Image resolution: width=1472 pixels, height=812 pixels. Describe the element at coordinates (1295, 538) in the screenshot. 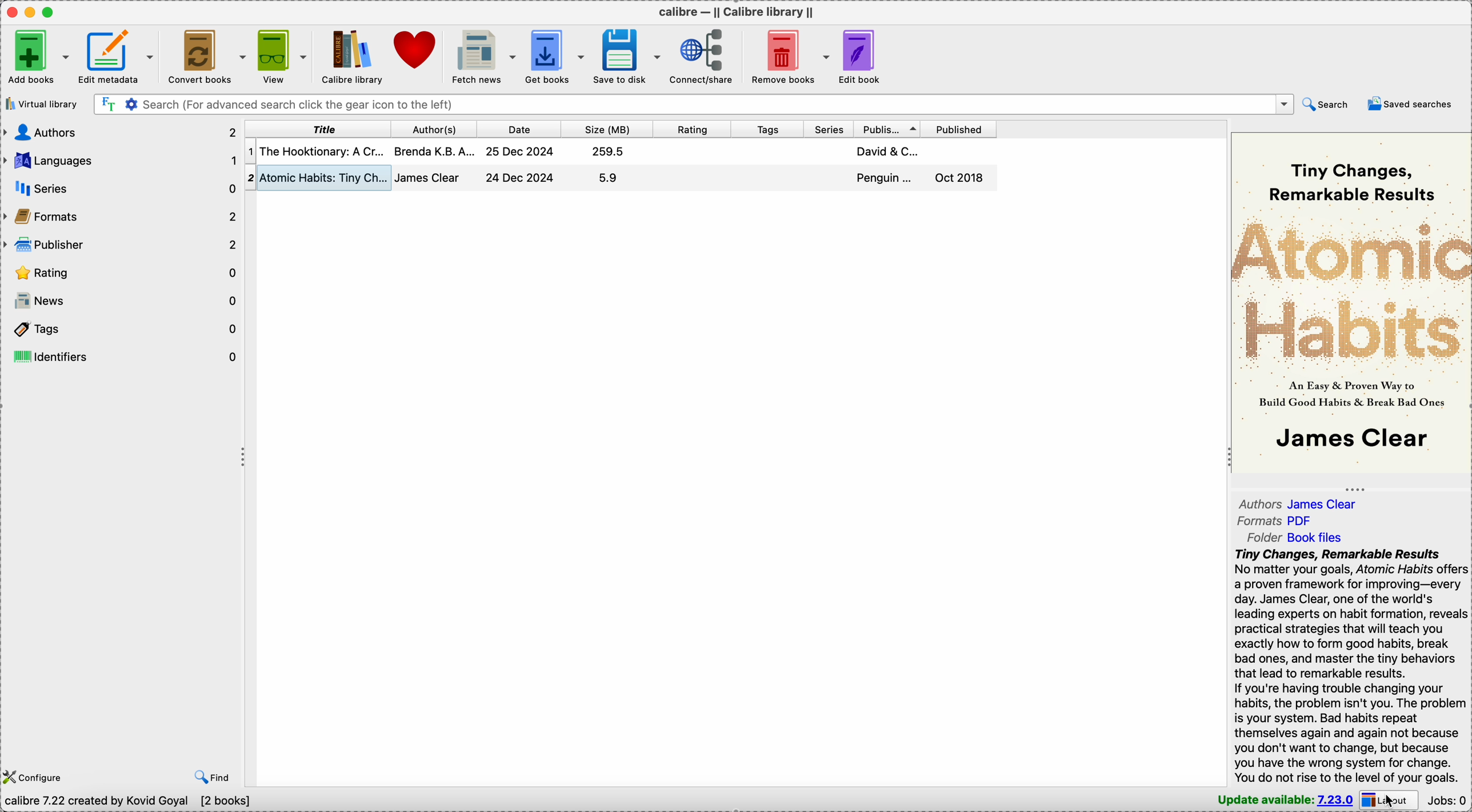

I see `folder book files` at that location.